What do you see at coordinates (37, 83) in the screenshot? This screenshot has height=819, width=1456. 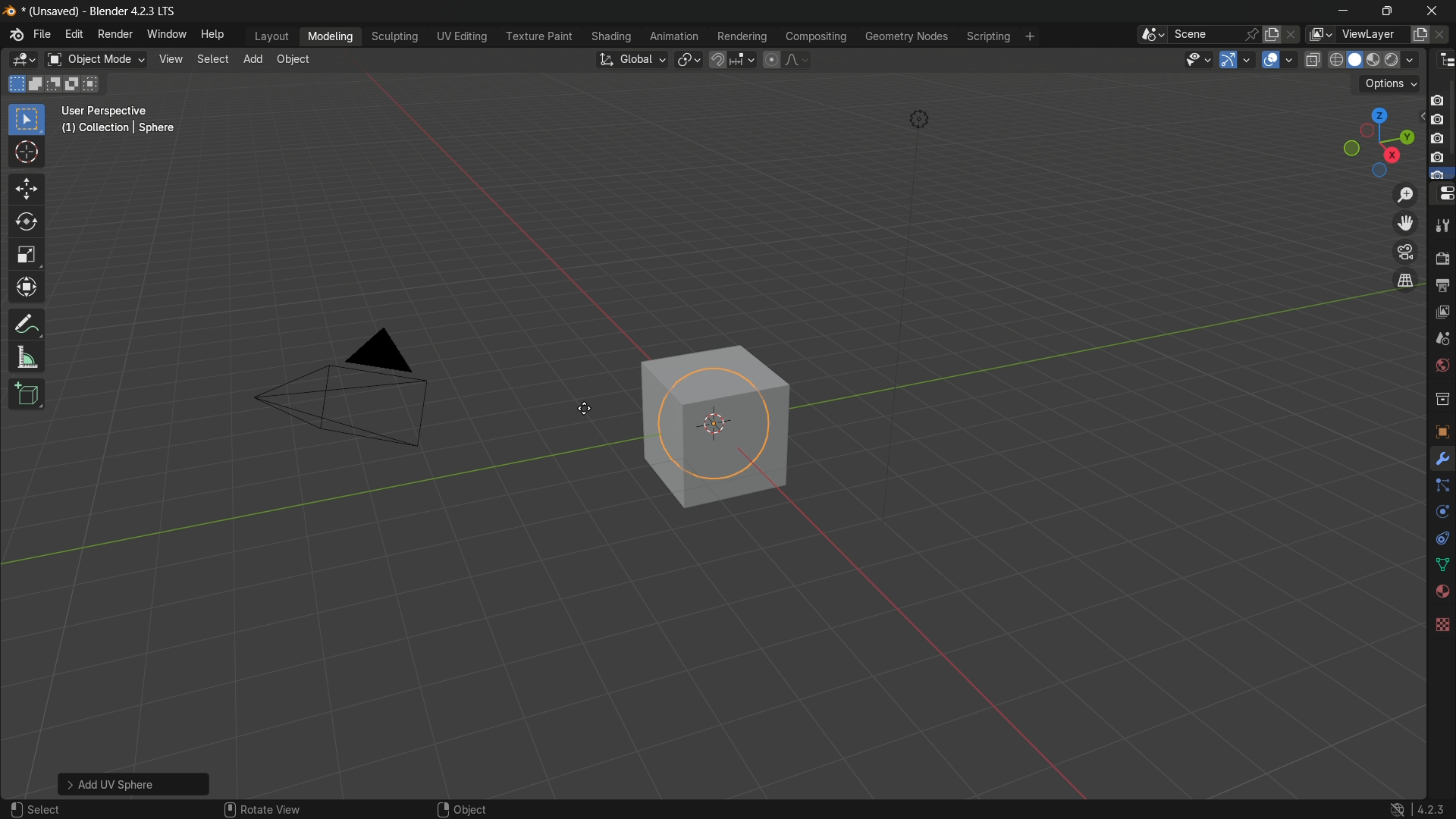 I see `extend existing selection` at bounding box center [37, 83].